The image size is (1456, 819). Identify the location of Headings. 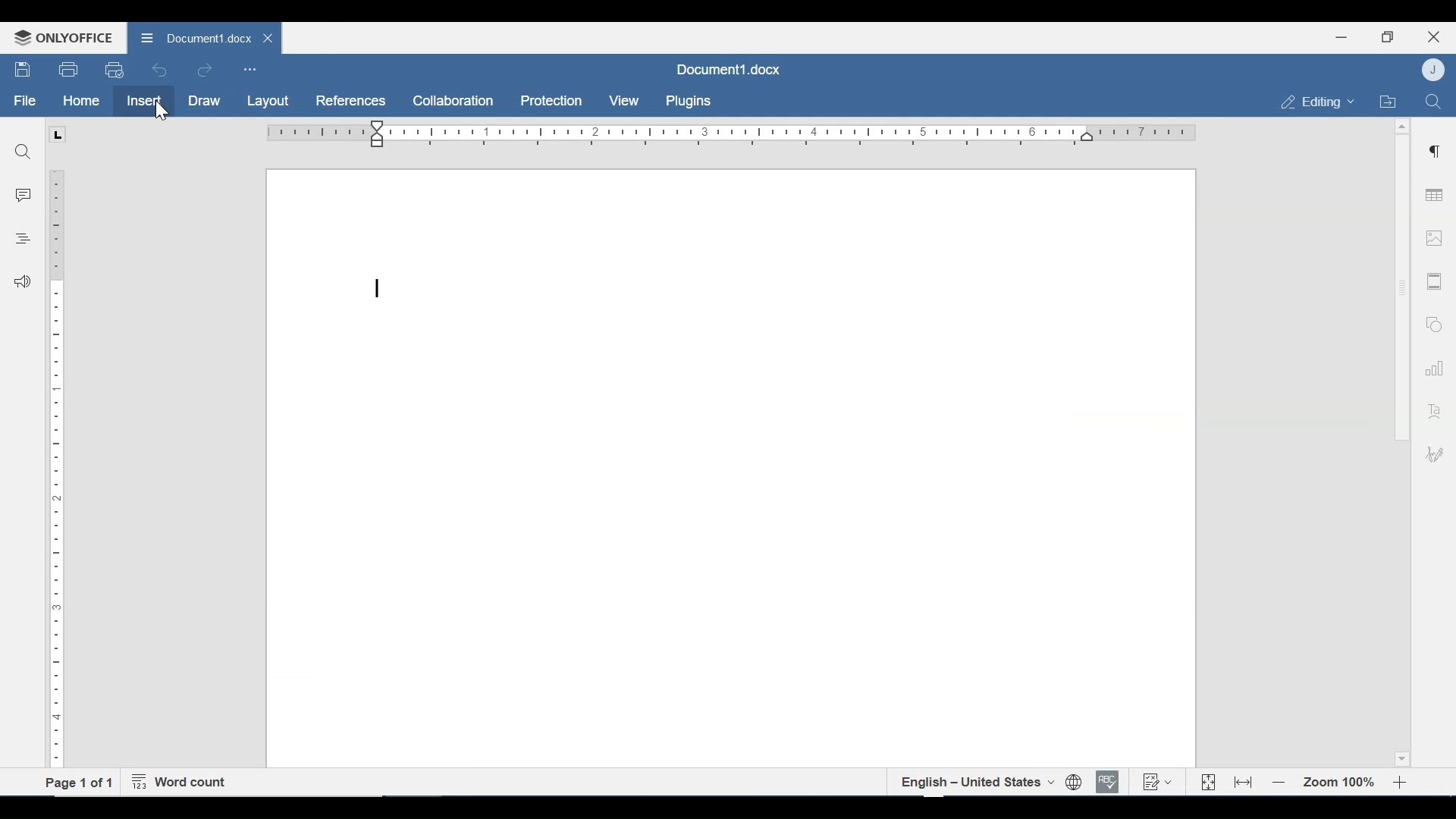
(22, 237).